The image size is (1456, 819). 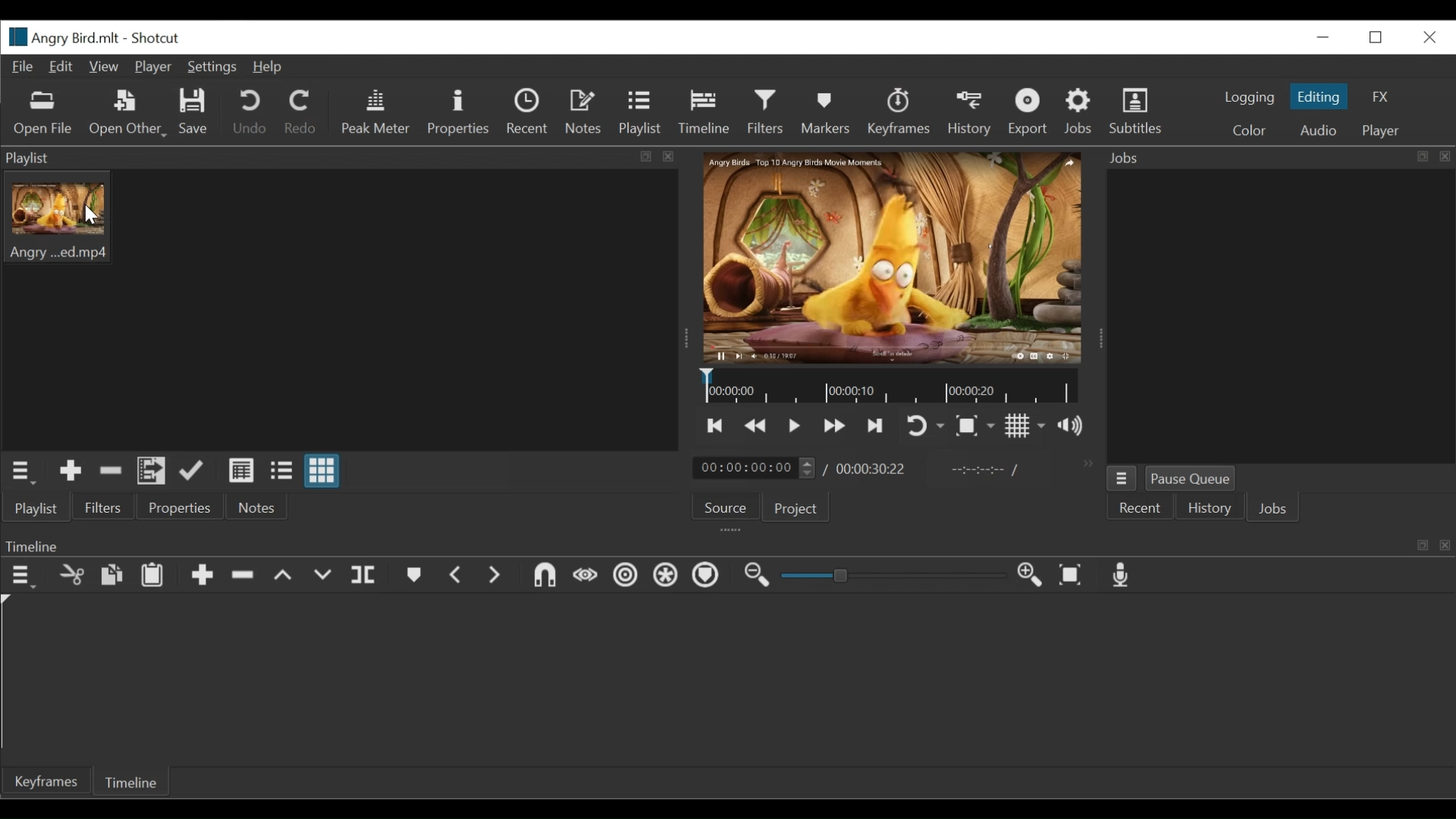 I want to click on Editing, so click(x=1318, y=96).